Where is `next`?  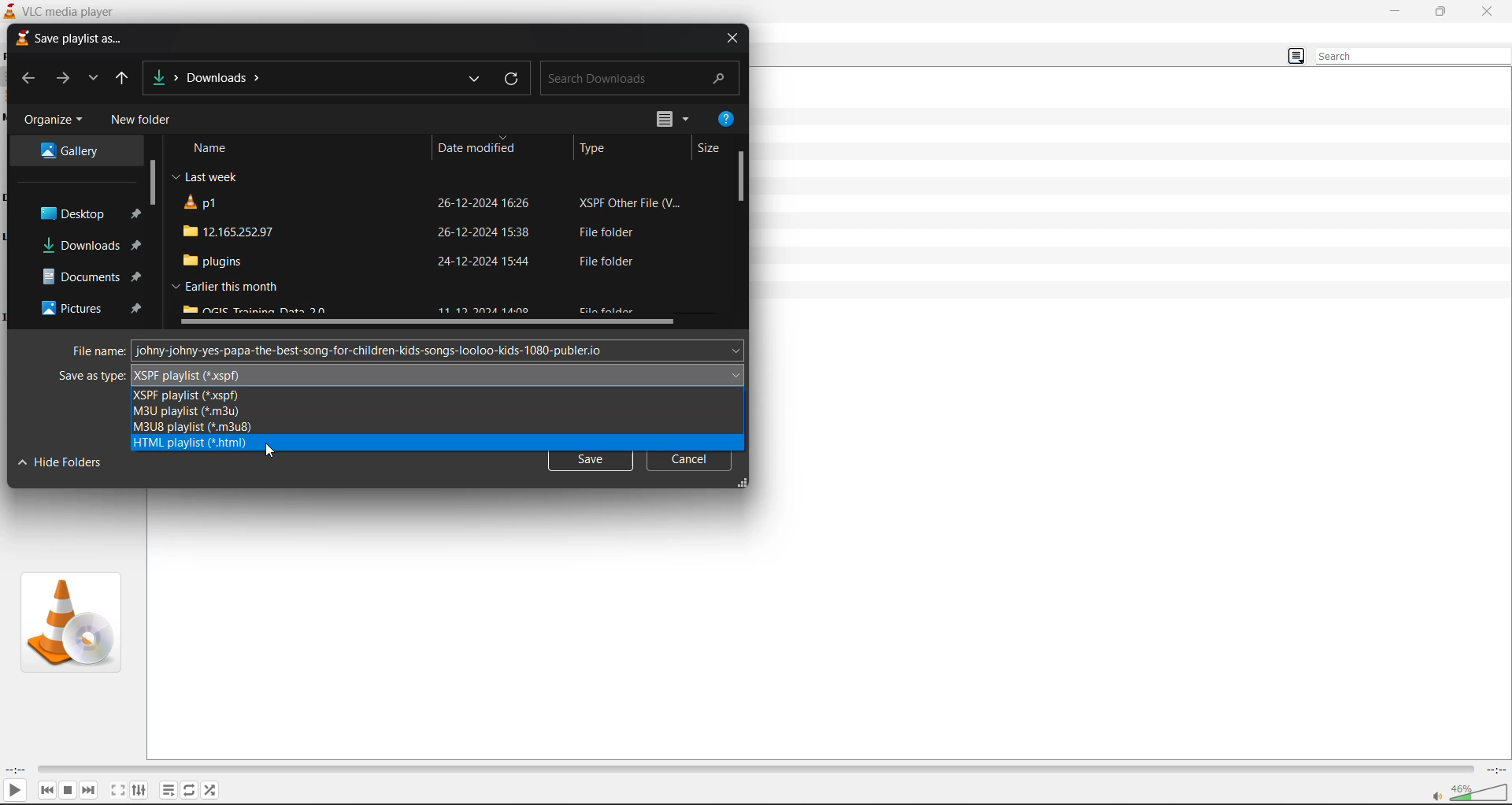
next is located at coordinates (92, 789).